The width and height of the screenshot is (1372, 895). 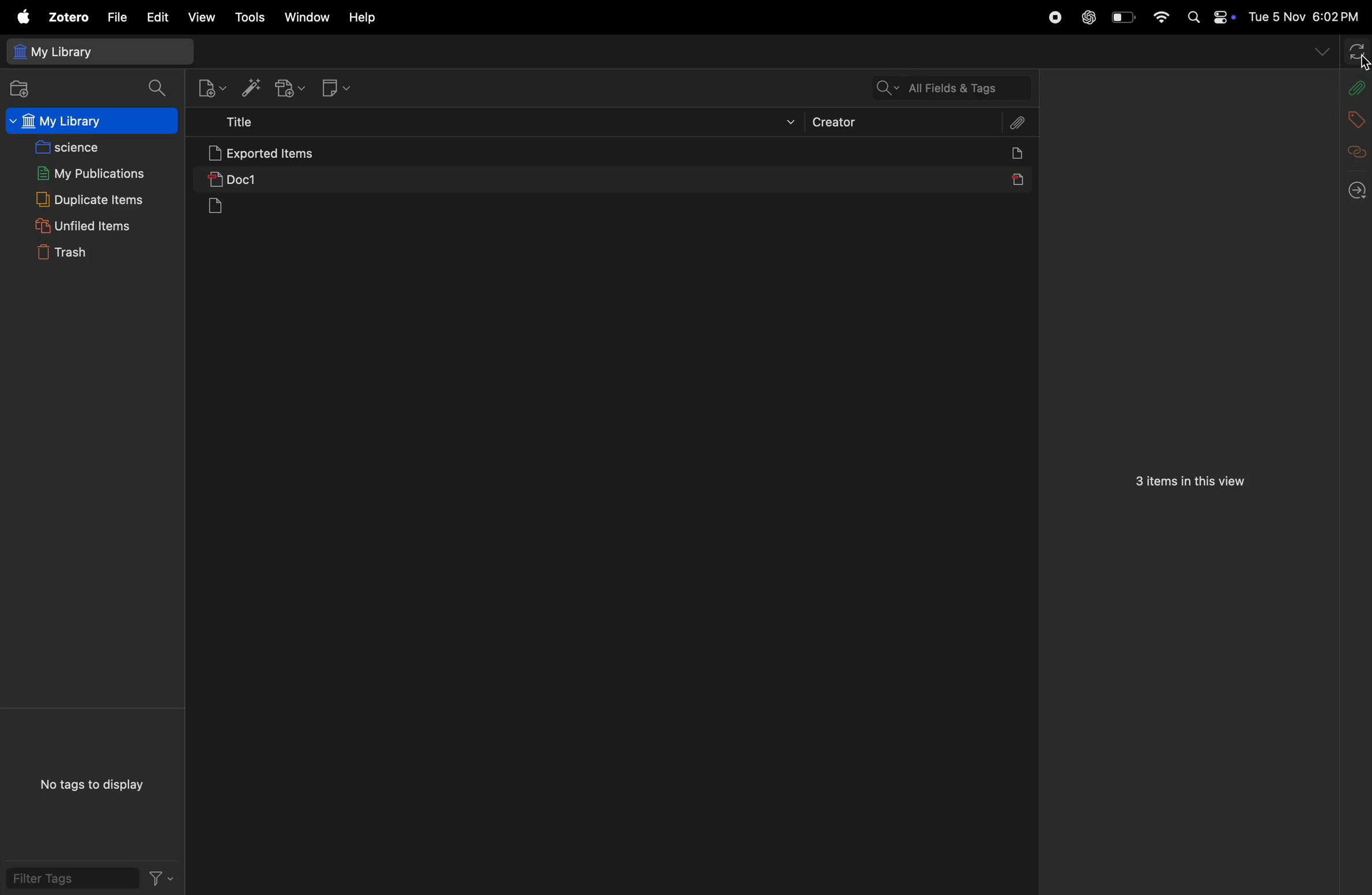 I want to click on related, so click(x=1354, y=152).